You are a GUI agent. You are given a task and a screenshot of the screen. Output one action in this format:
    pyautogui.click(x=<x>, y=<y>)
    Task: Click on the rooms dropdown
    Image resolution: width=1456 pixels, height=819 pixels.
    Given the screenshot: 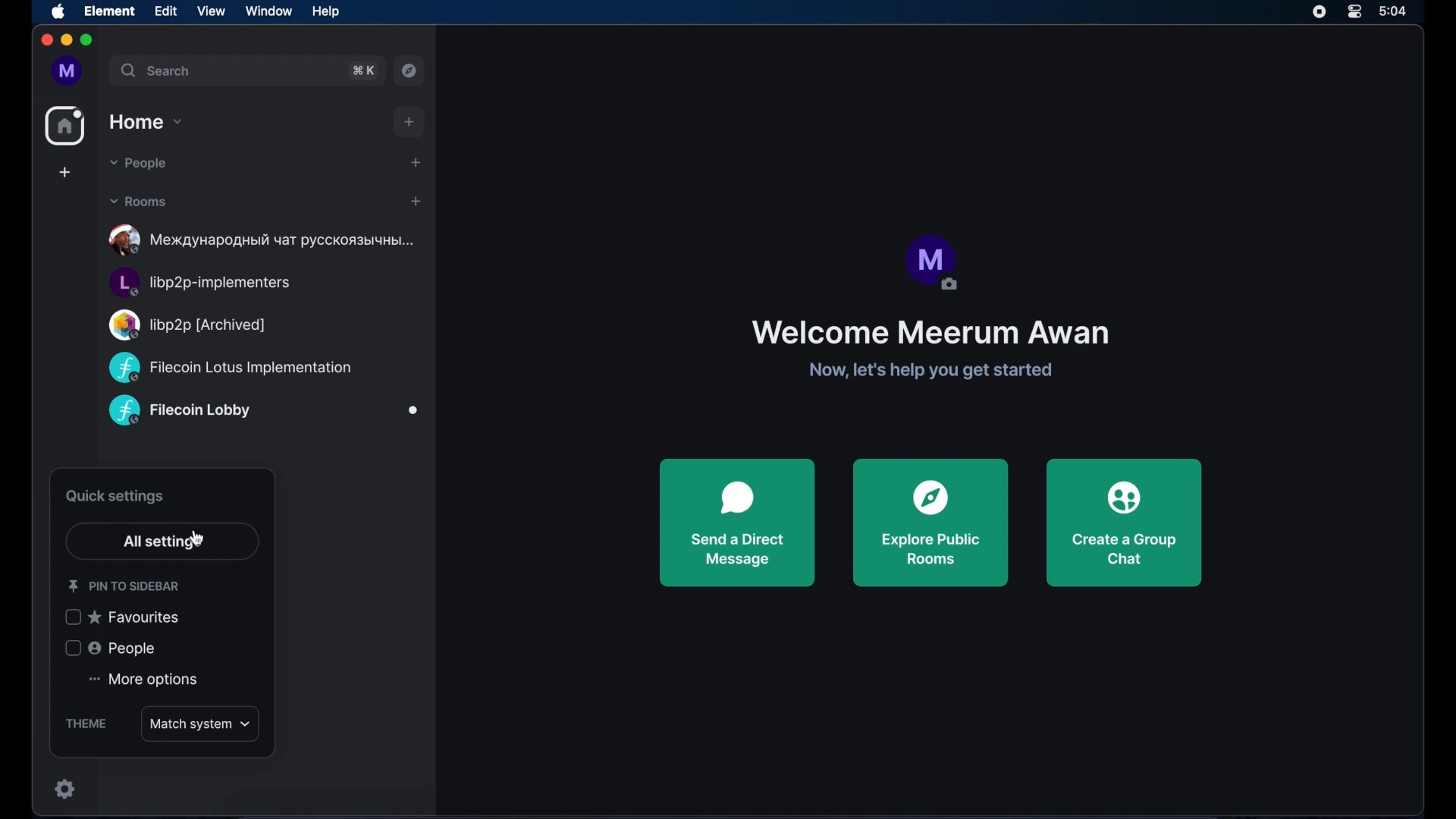 What is the action you would take?
    pyautogui.click(x=139, y=201)
    